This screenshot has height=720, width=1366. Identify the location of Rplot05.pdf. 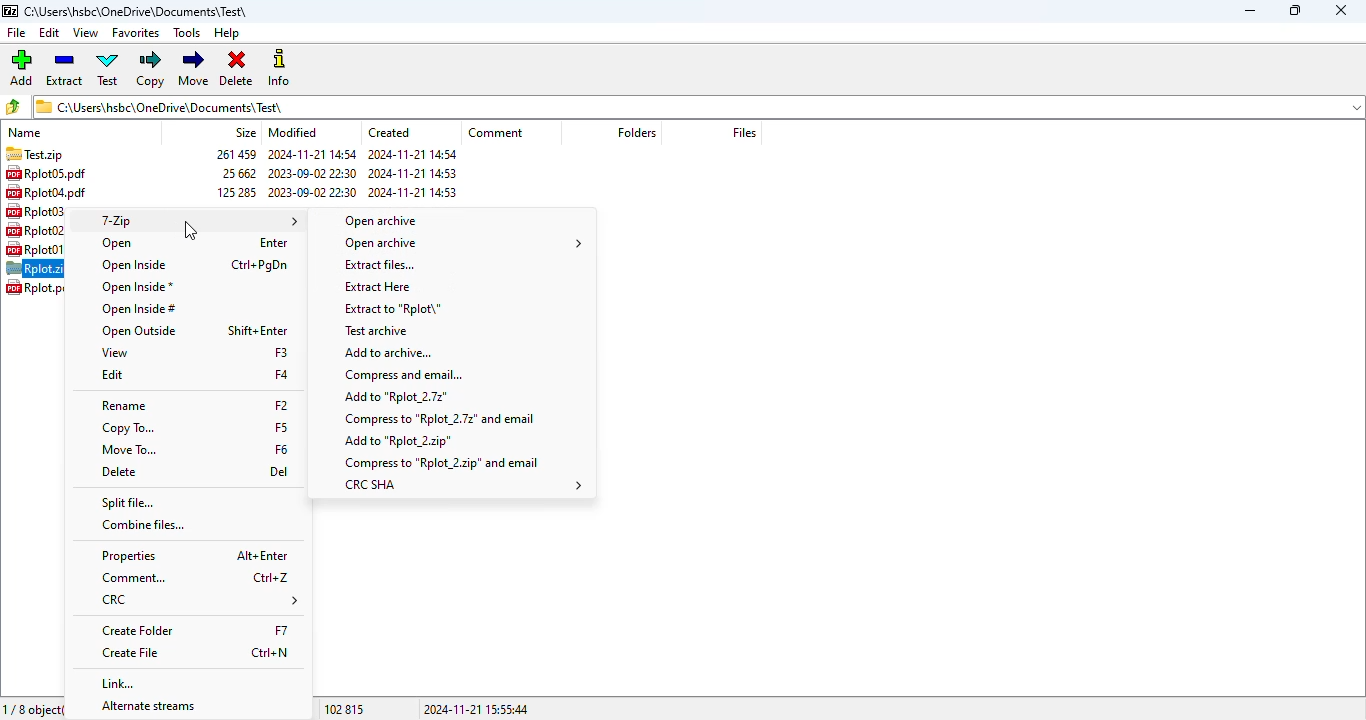
(56, 173).